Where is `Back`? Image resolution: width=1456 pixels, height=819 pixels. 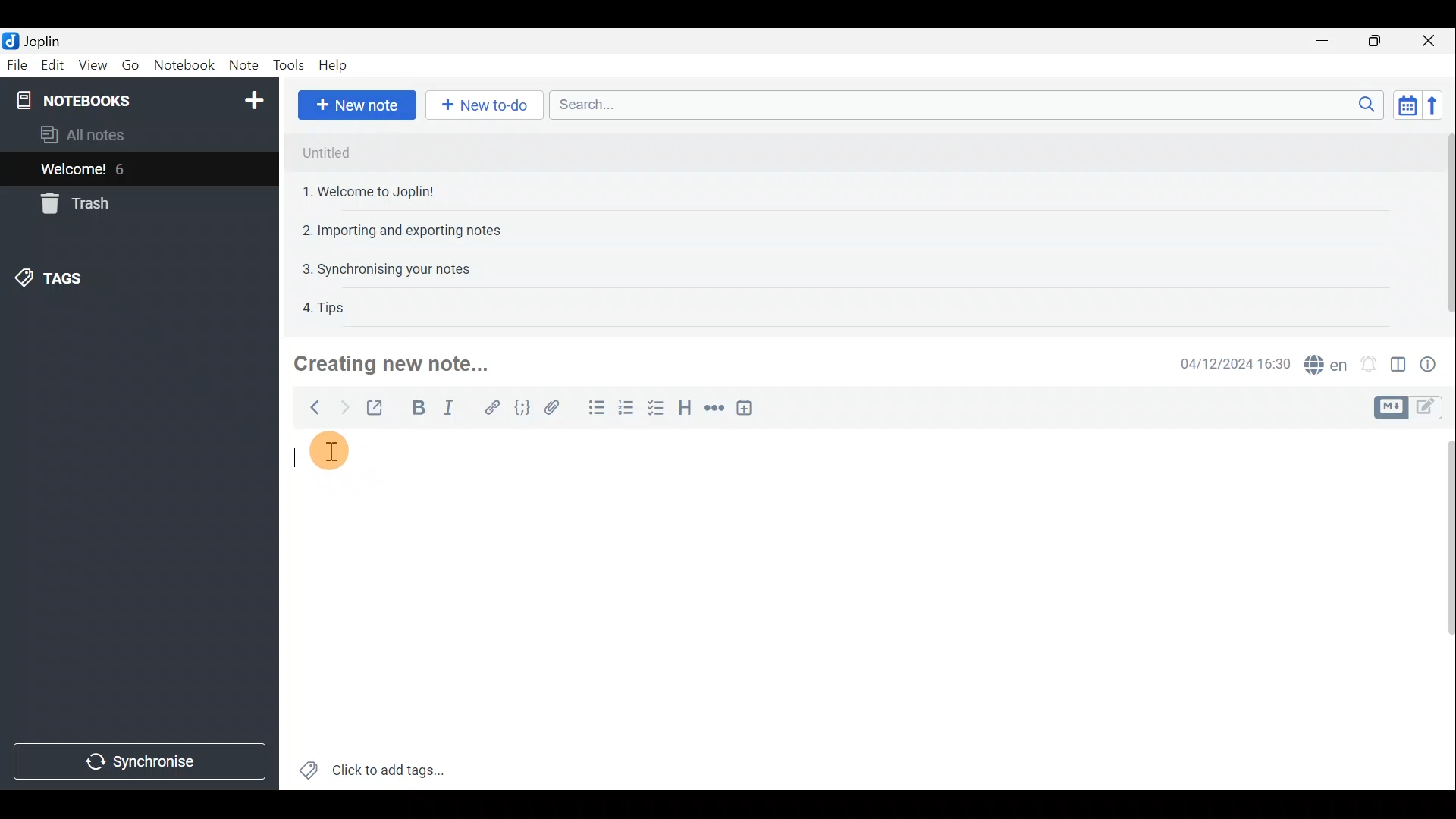
Back is located at coordinates (310, 410).